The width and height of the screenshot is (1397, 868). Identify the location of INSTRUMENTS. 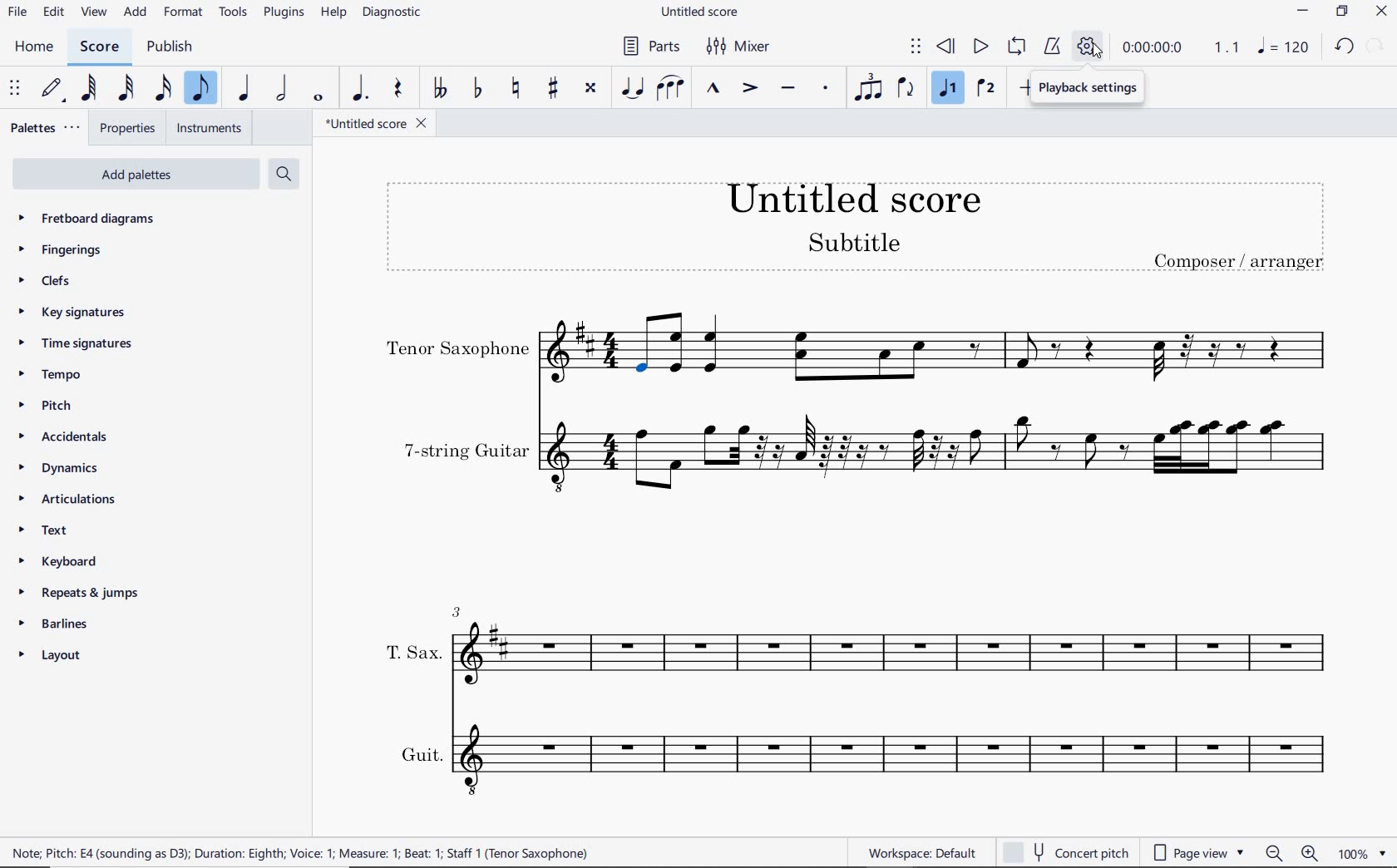
(212, 130).